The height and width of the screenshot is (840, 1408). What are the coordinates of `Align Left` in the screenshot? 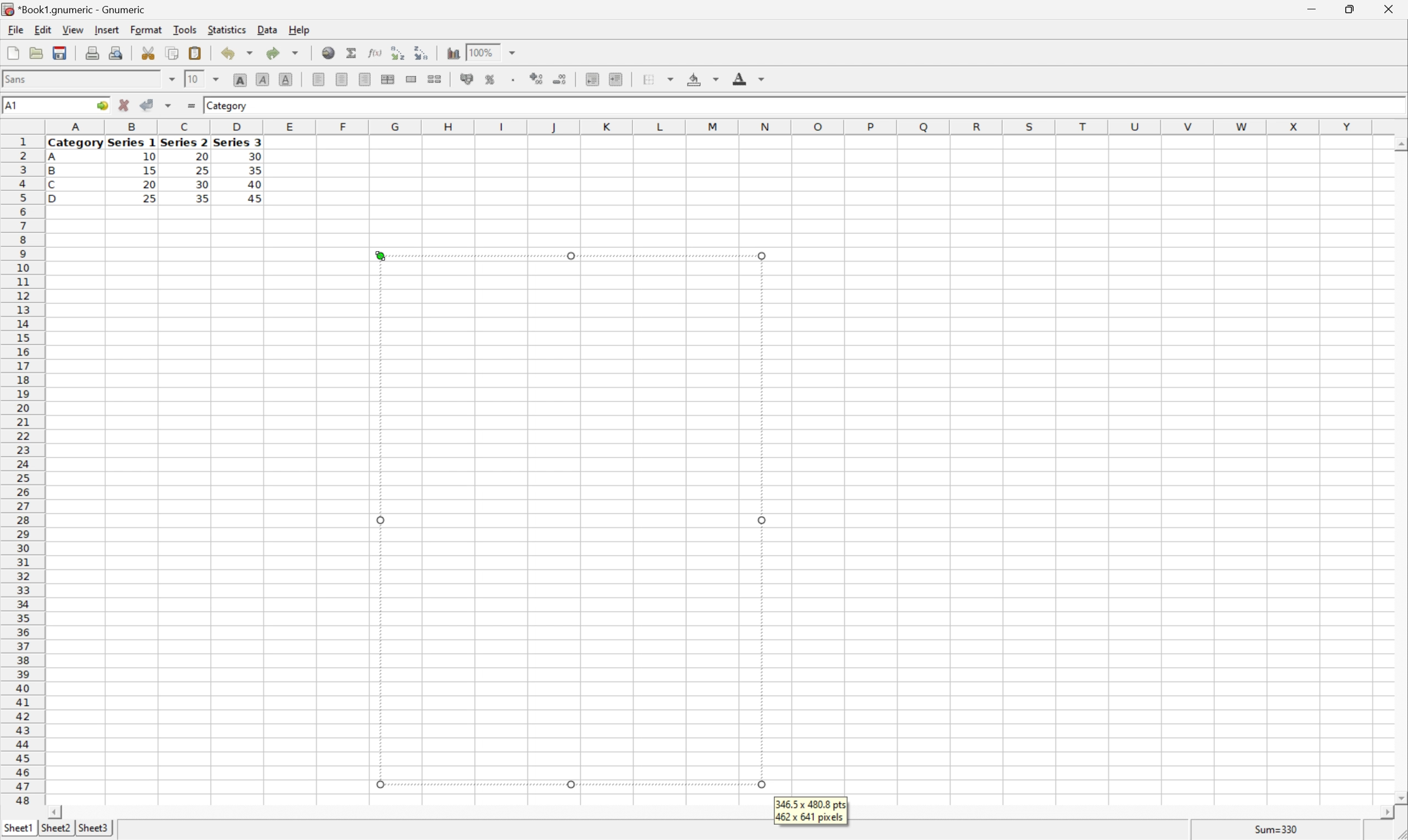 It's located at (317, 77).